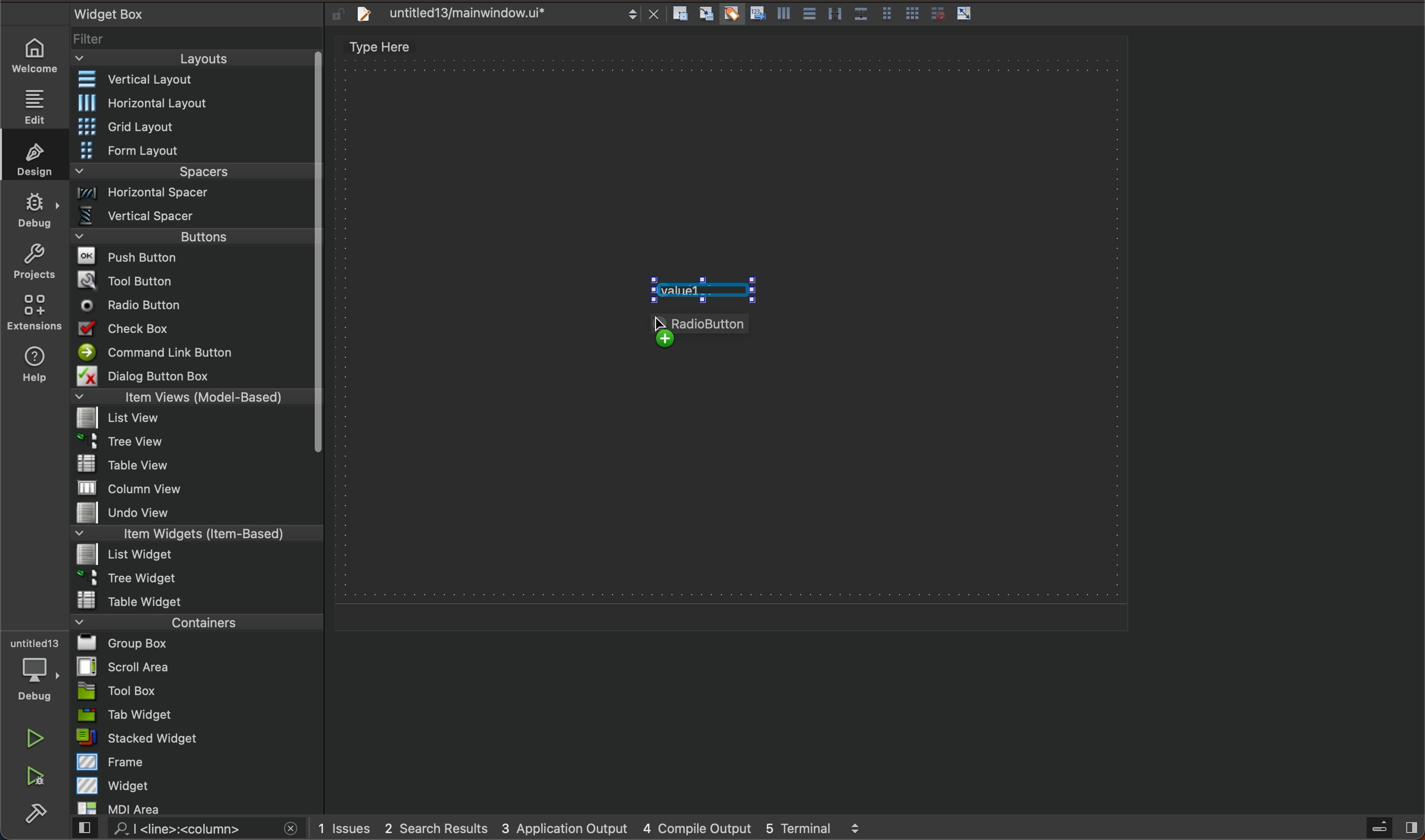  Describe the element at coordinates (31, 155) in the screenshot. I see `design` at that location.